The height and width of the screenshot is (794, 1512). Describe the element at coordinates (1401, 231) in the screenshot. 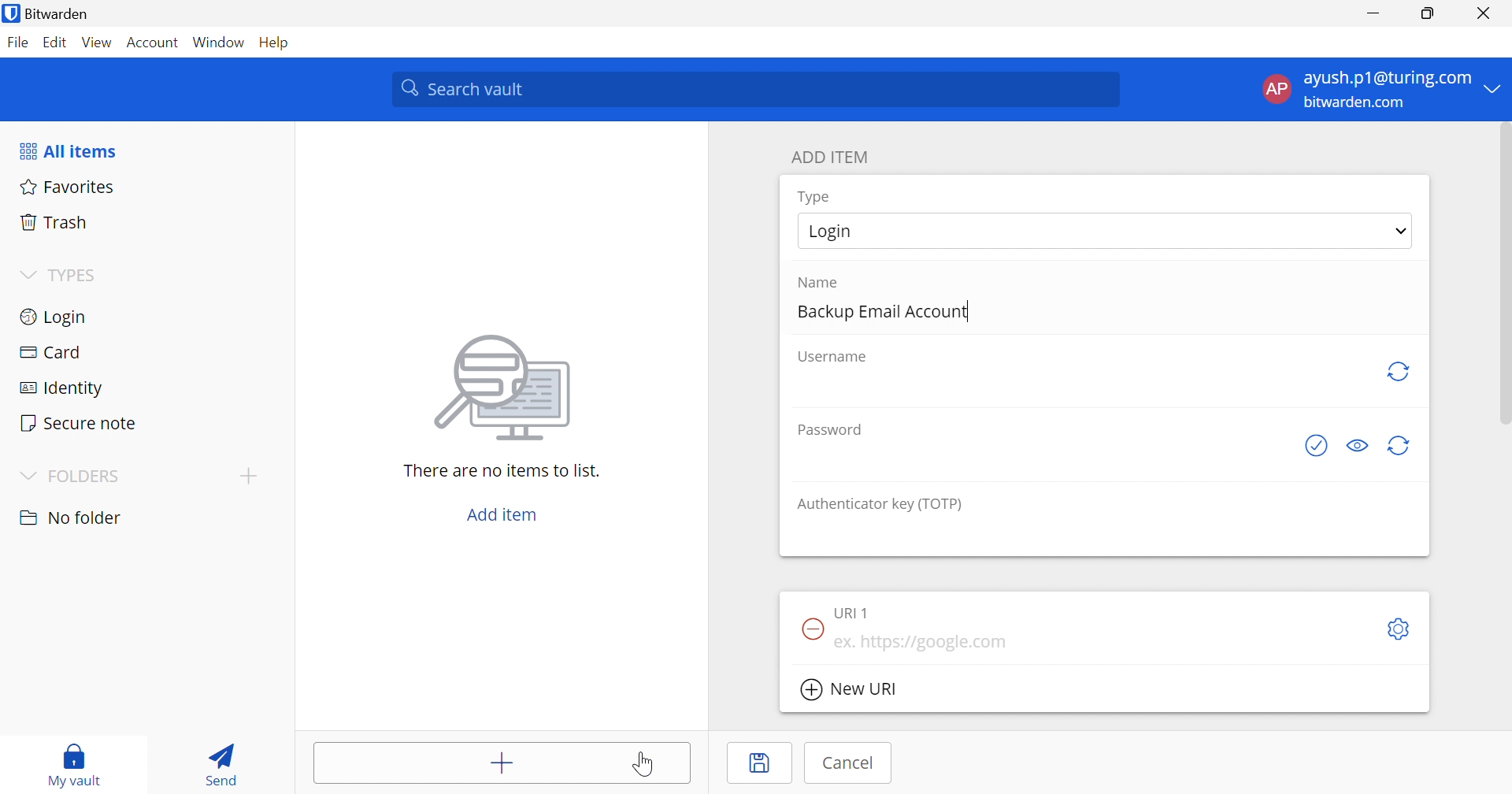

I see `Drop down` at that location.